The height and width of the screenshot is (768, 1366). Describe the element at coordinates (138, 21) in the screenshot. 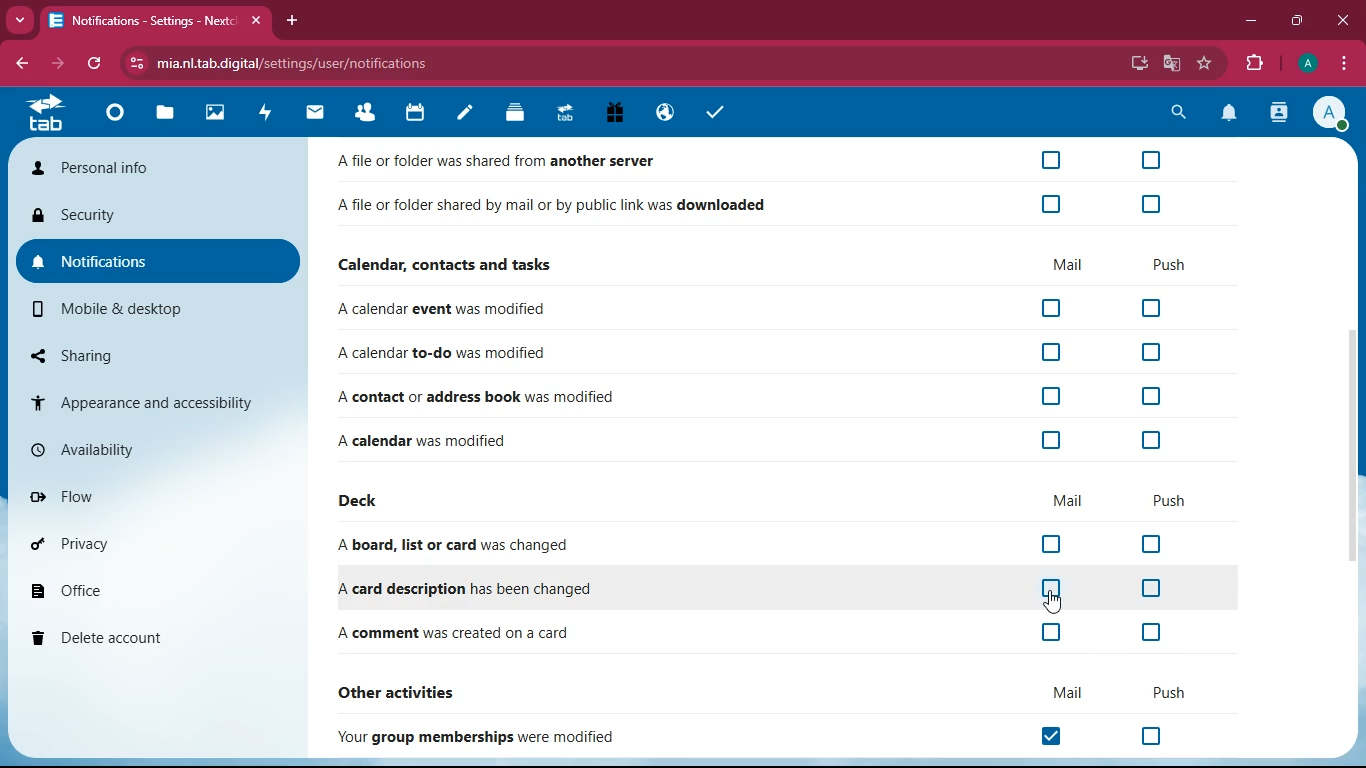

I see `Notifications - Nextcloud` at that location.